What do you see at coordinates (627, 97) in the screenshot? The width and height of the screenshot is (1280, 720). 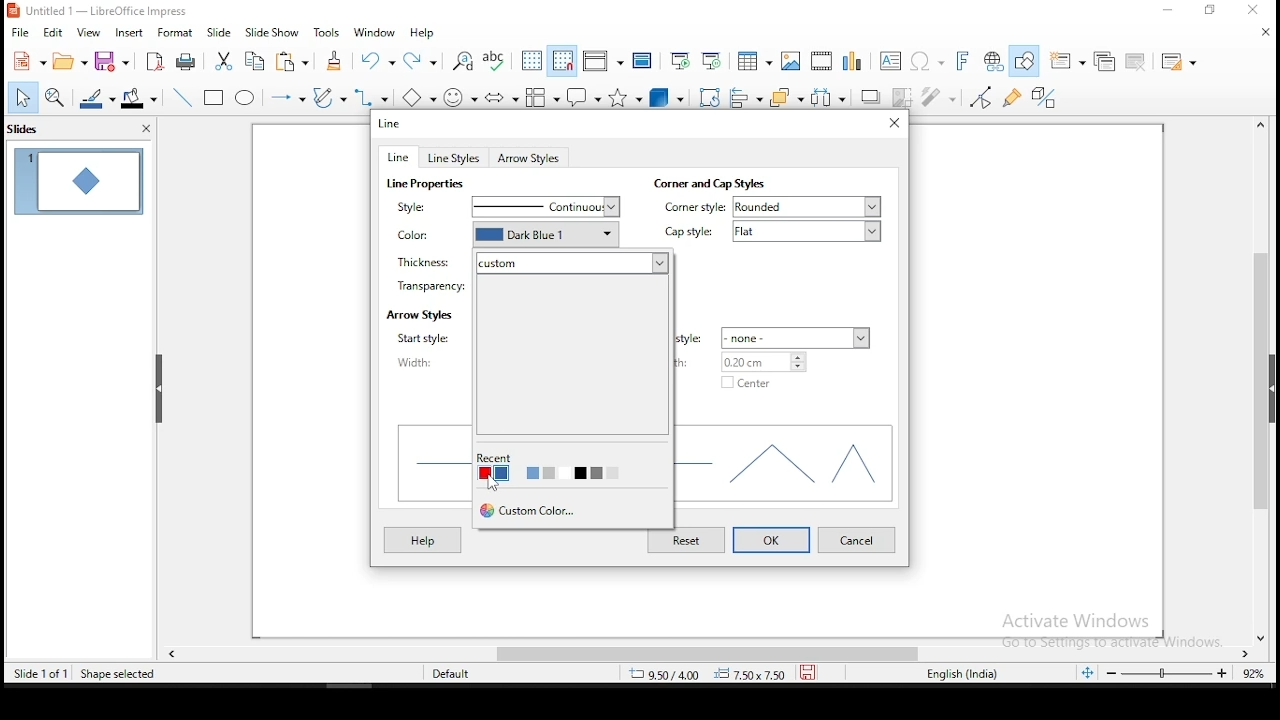 I see `stars and banners` at bounding box center [627, 97].